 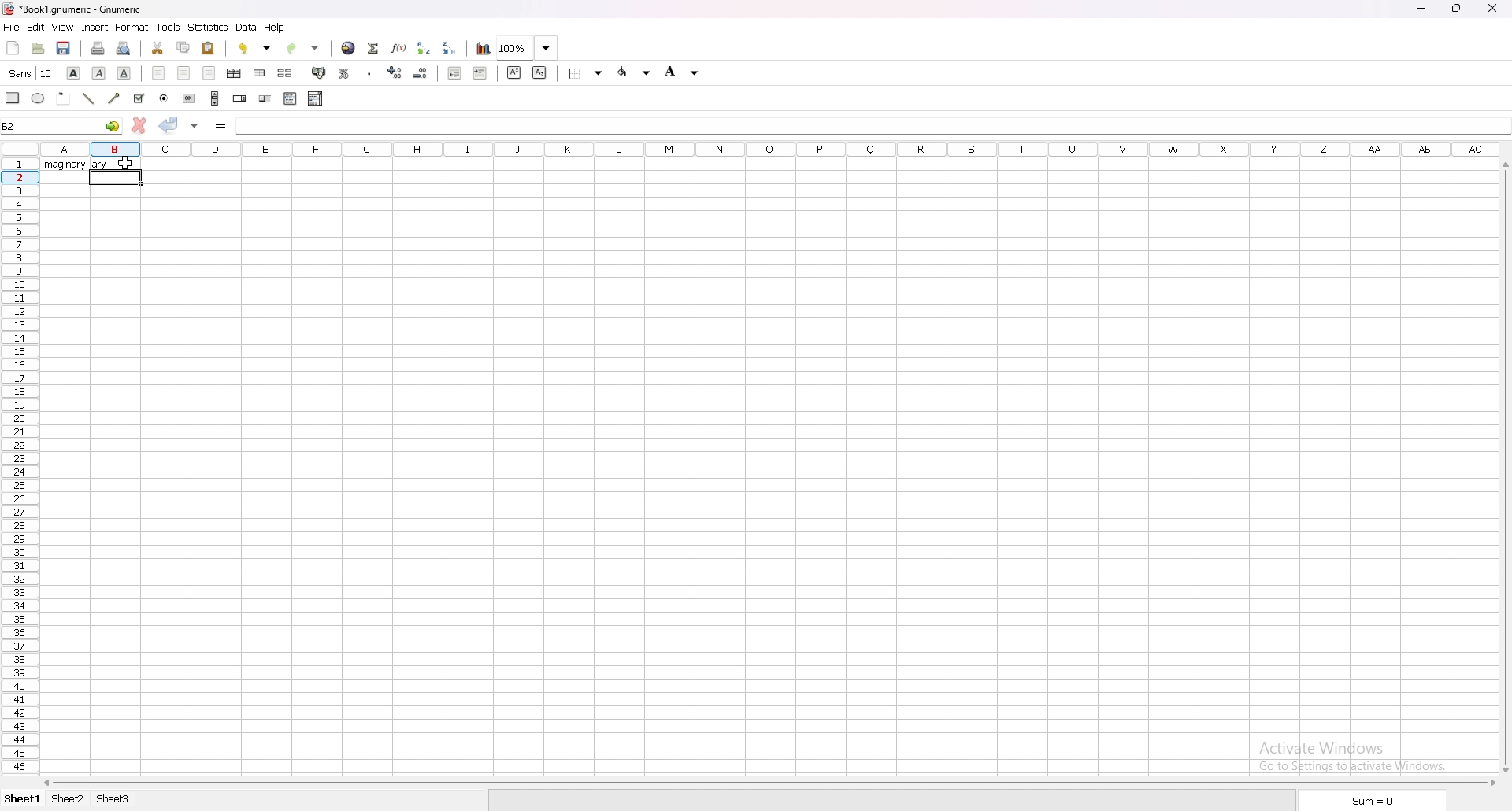 What do you see at coordinates (169, 124) in the screenshot?
I see `accept changes` at bounding box center [169, 124].